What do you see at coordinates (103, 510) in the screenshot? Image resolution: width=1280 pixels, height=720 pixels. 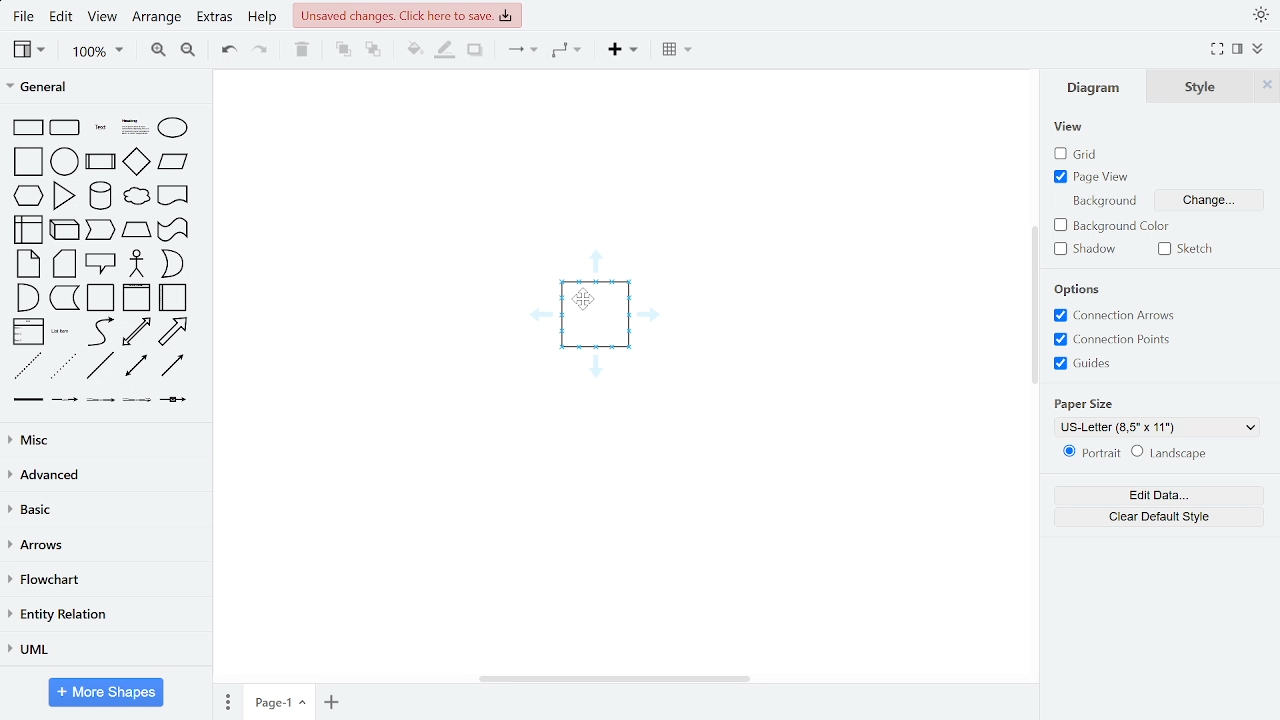 I see `basic` at bounding box center [103, 510].